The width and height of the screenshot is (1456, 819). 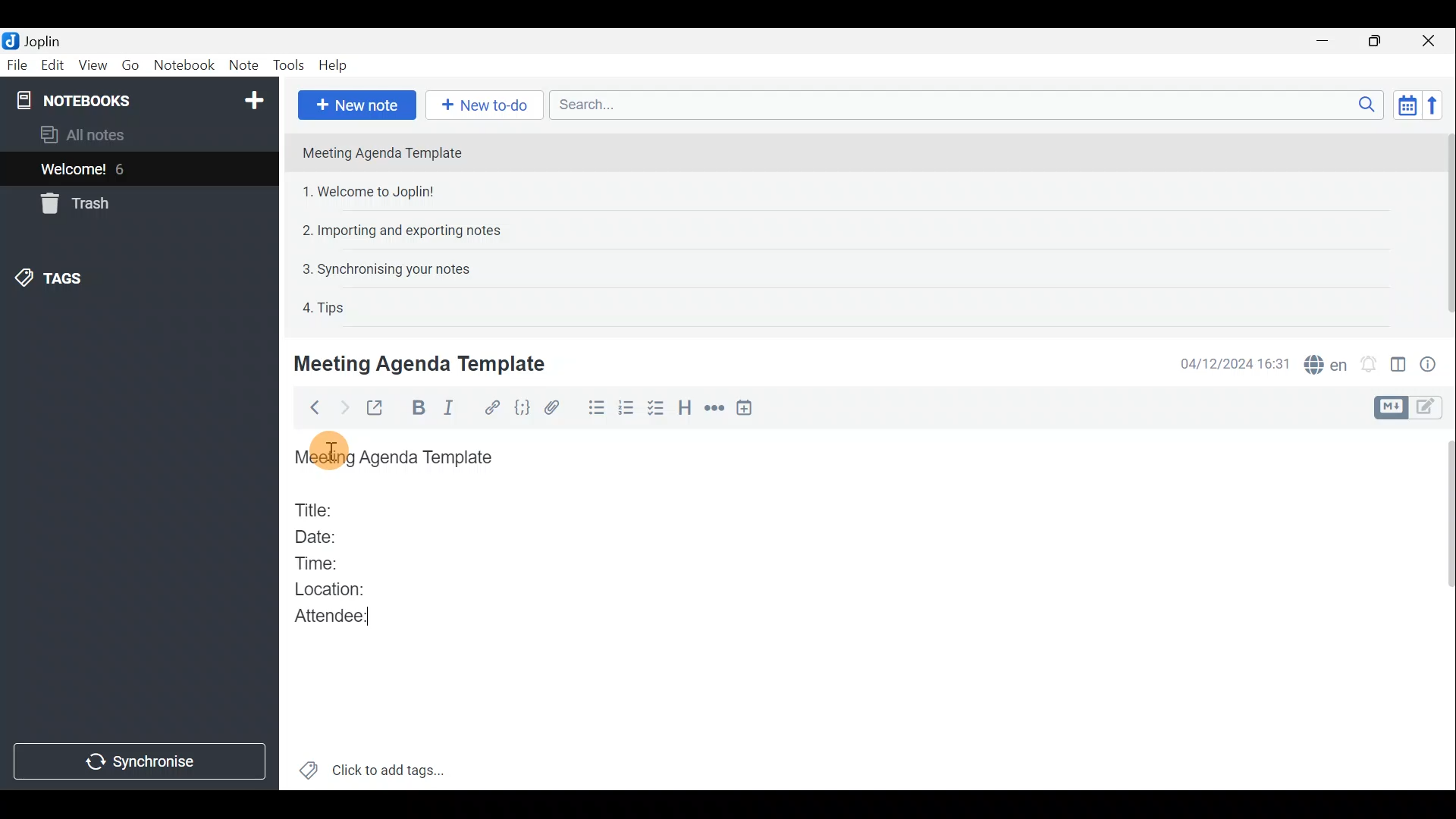 I want to click on View, so click(x=90, y=67).